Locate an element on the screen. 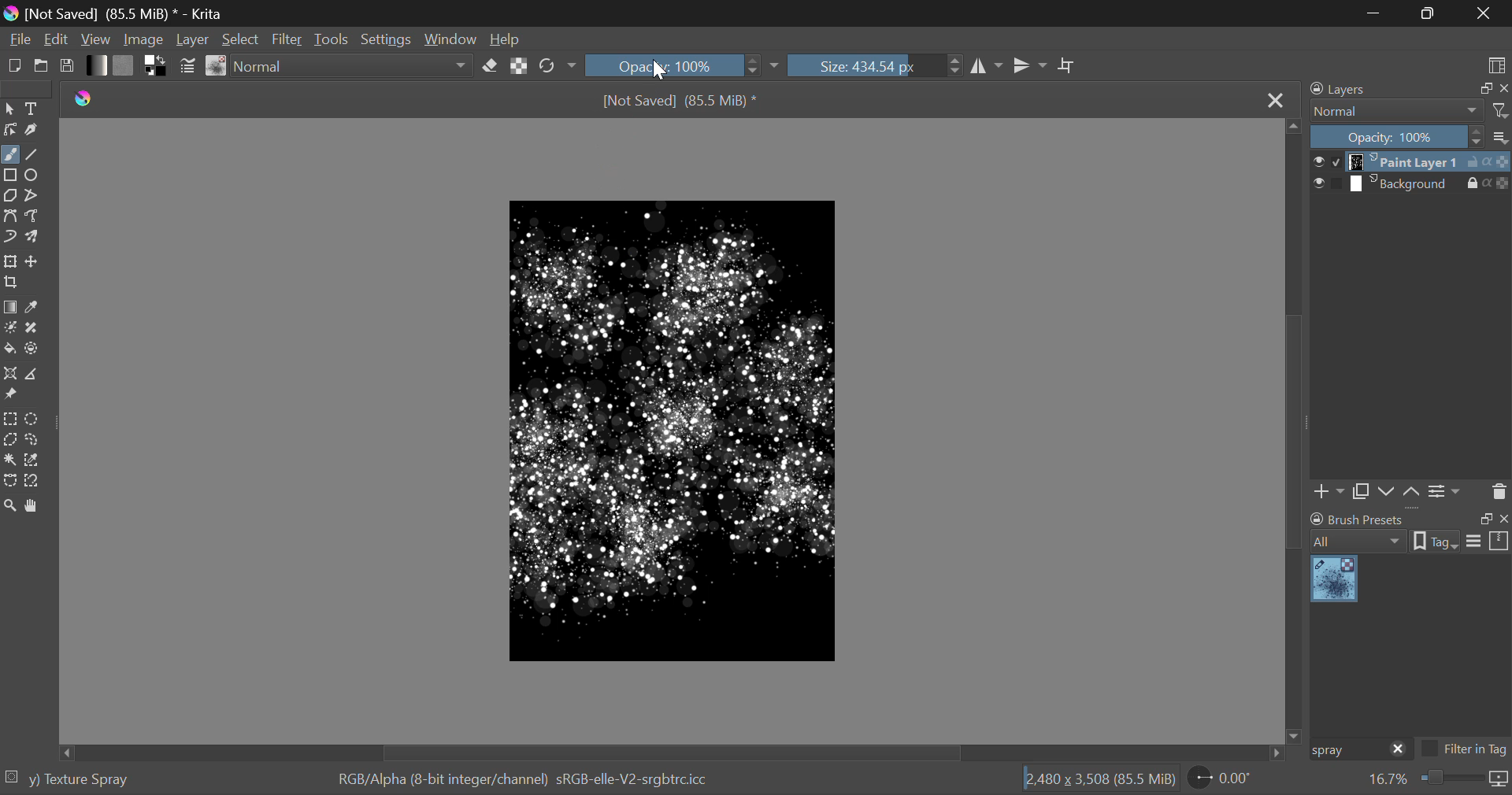 The height and width of the screenshot is (795, 1512). Pattern is located at coordinates (124, 65).